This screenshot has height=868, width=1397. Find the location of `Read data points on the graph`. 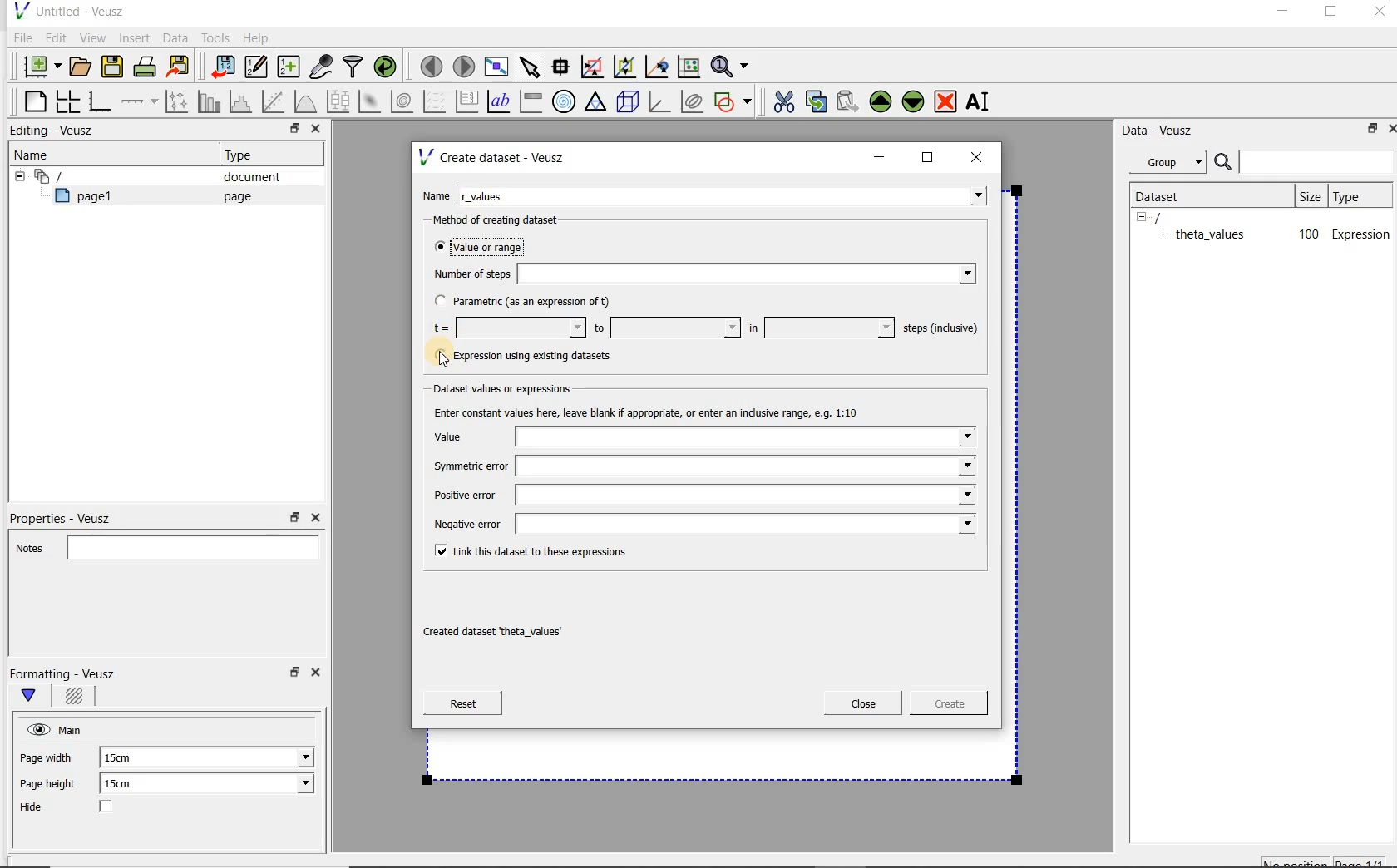

Read data points on the graph is located at coordinates (563, 67).